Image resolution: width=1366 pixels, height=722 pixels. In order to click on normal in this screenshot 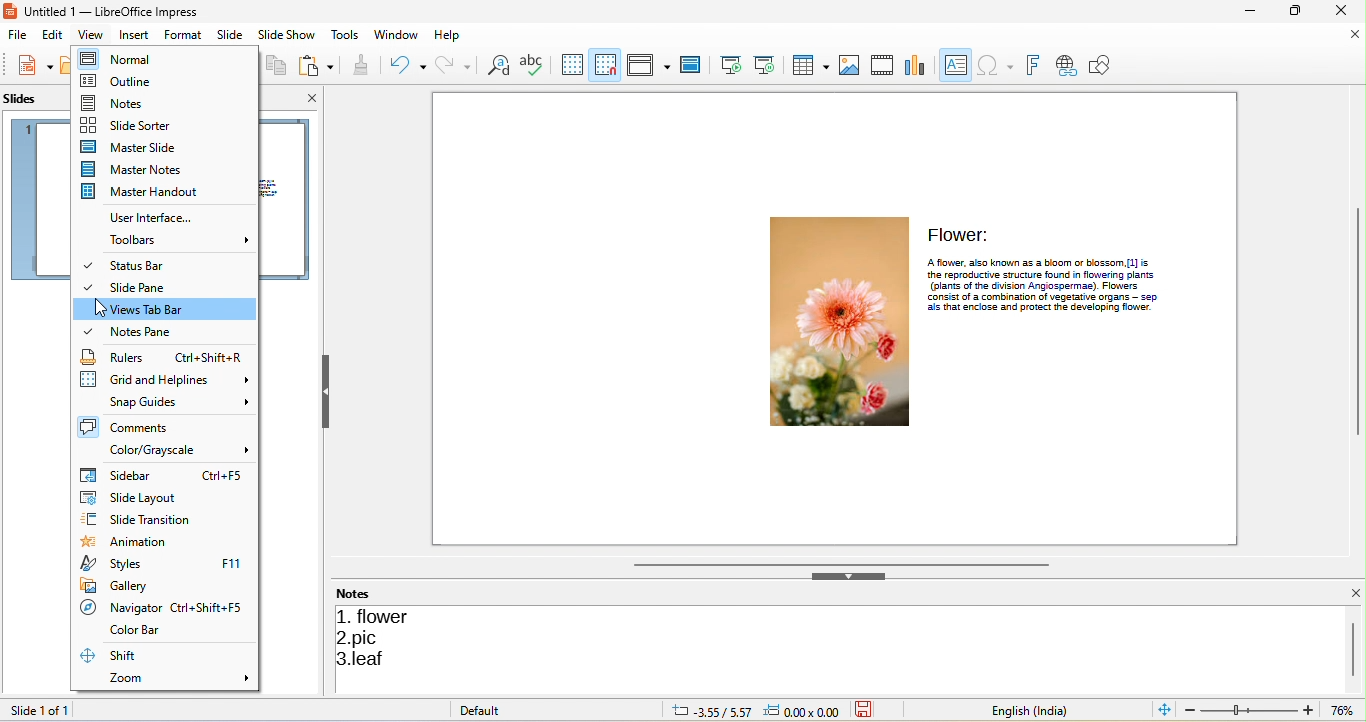, I will do `click(128, 59)`.